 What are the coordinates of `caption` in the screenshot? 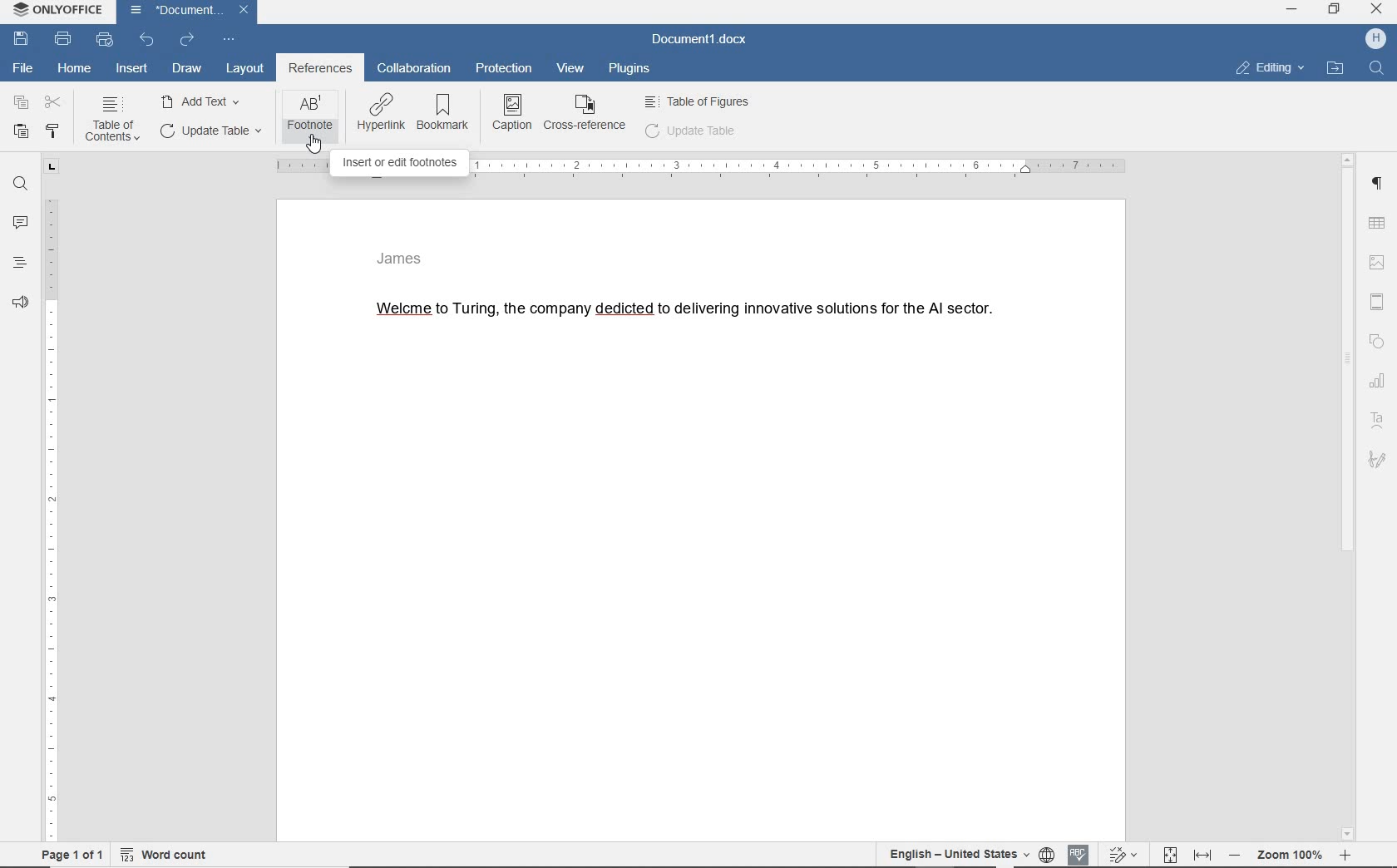 It's located at (513, 111).